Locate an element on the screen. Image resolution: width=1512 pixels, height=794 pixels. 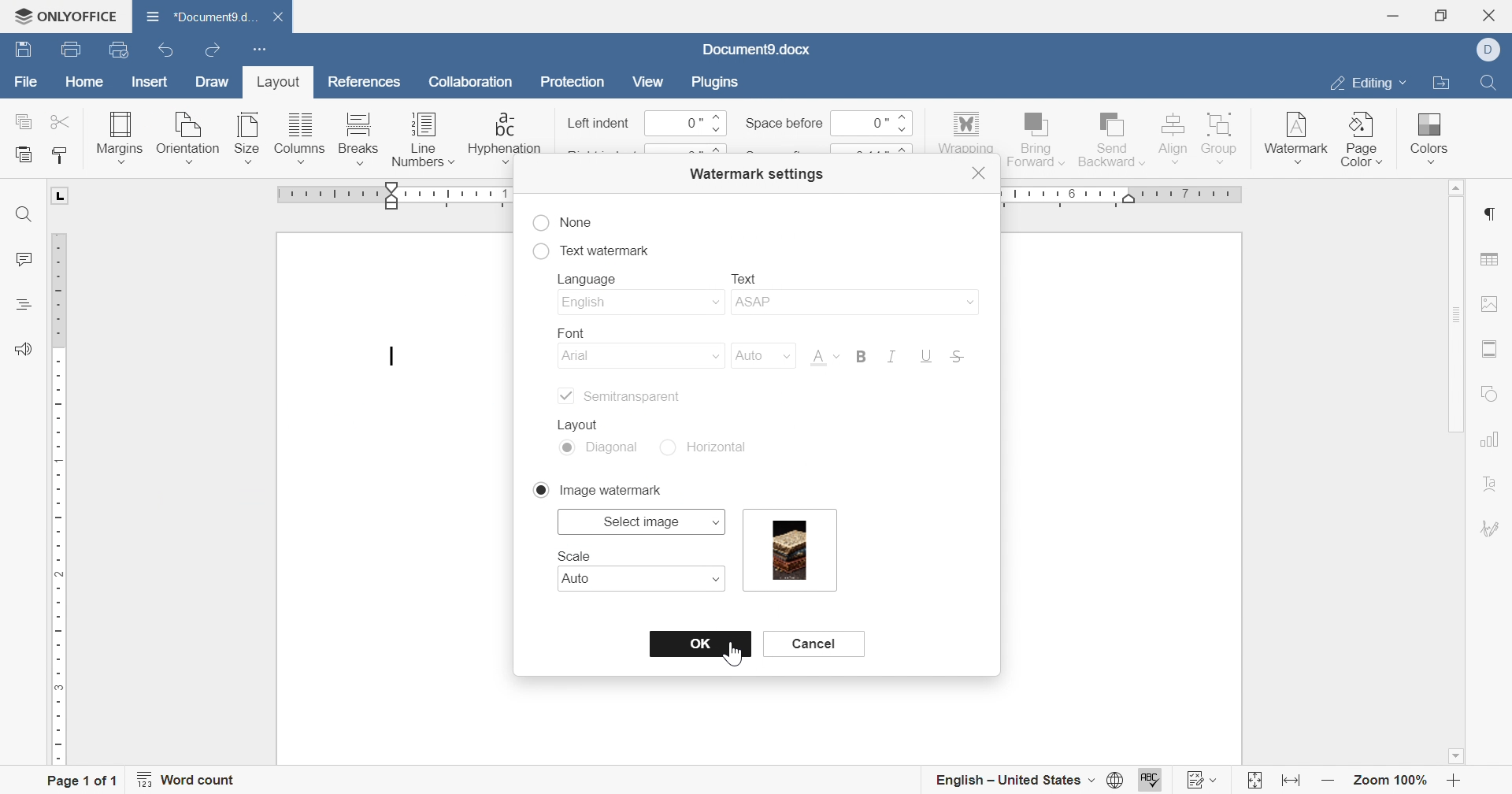
save is located at coordinates (20, 50).